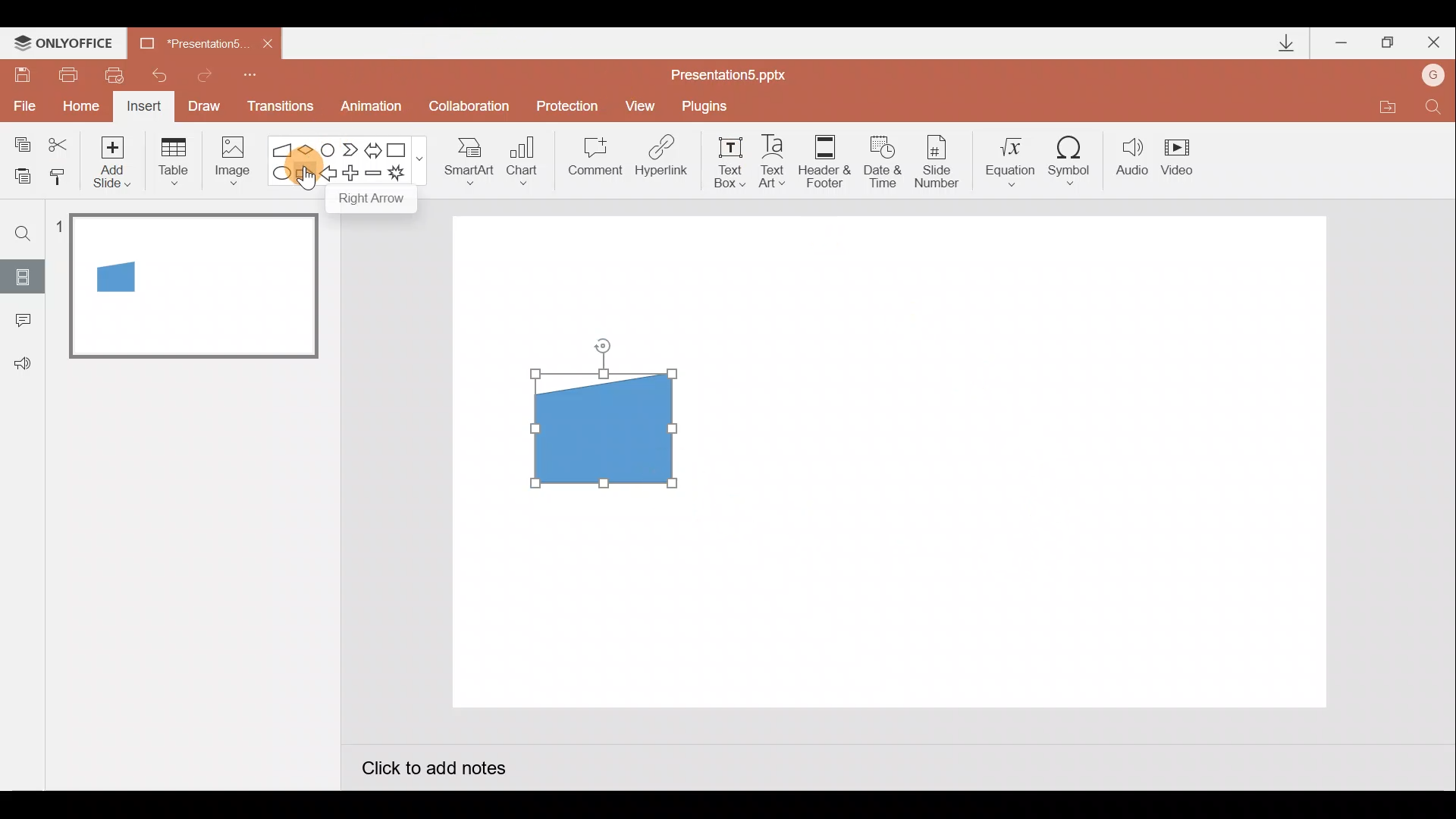 The image size is (1456, 819). I want to click on Cursor, so click(309, 180).